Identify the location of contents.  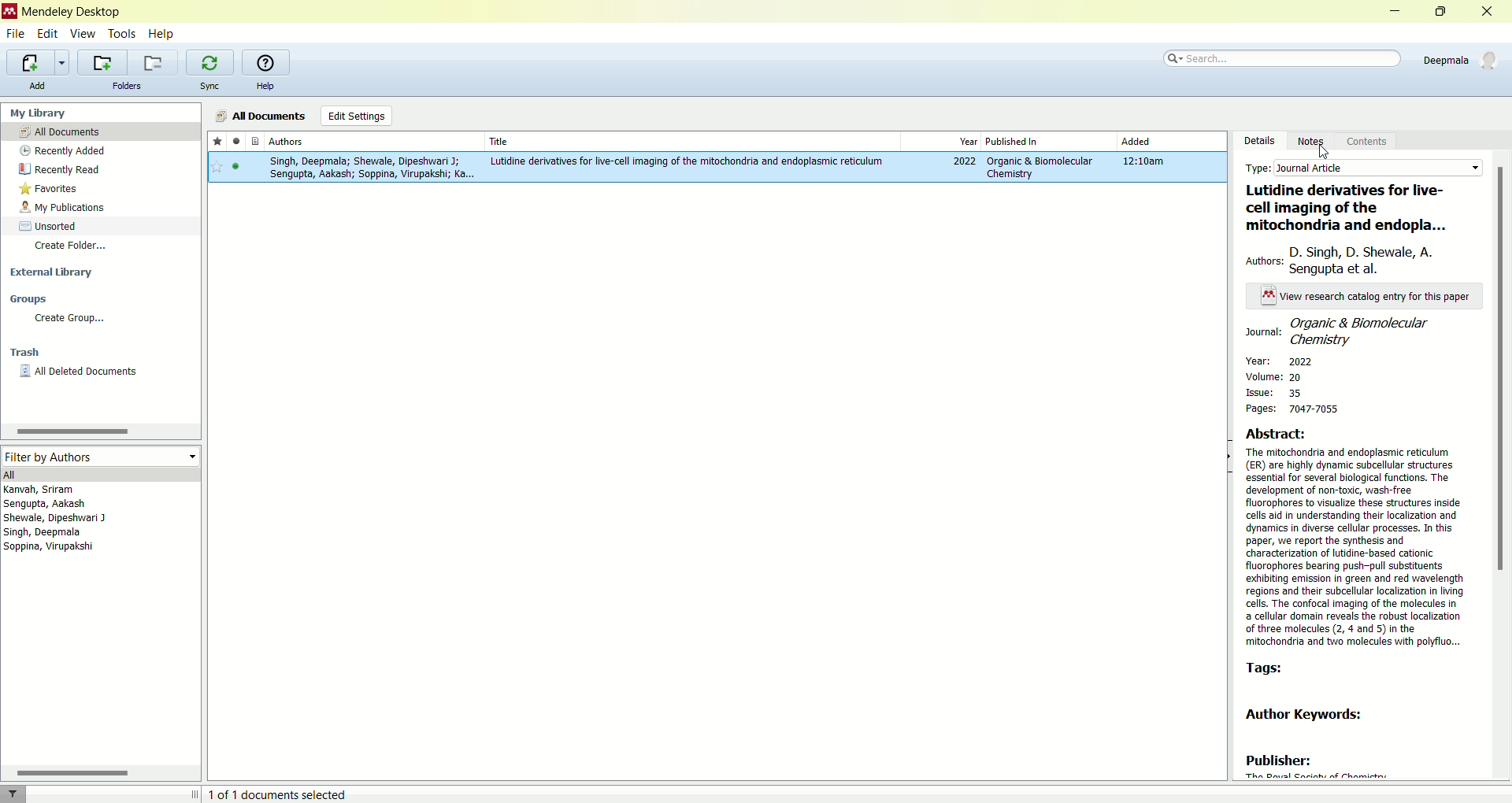
(1371, 140).